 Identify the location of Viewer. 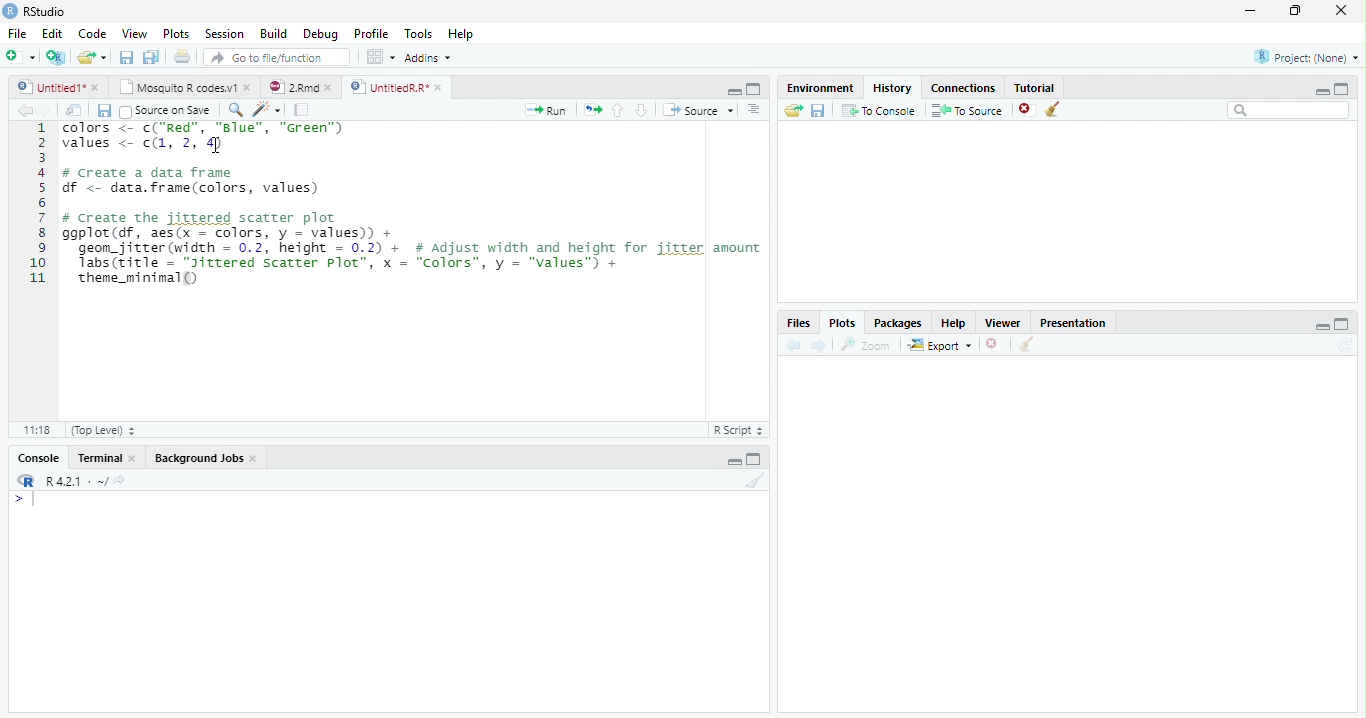
(1004, 323).